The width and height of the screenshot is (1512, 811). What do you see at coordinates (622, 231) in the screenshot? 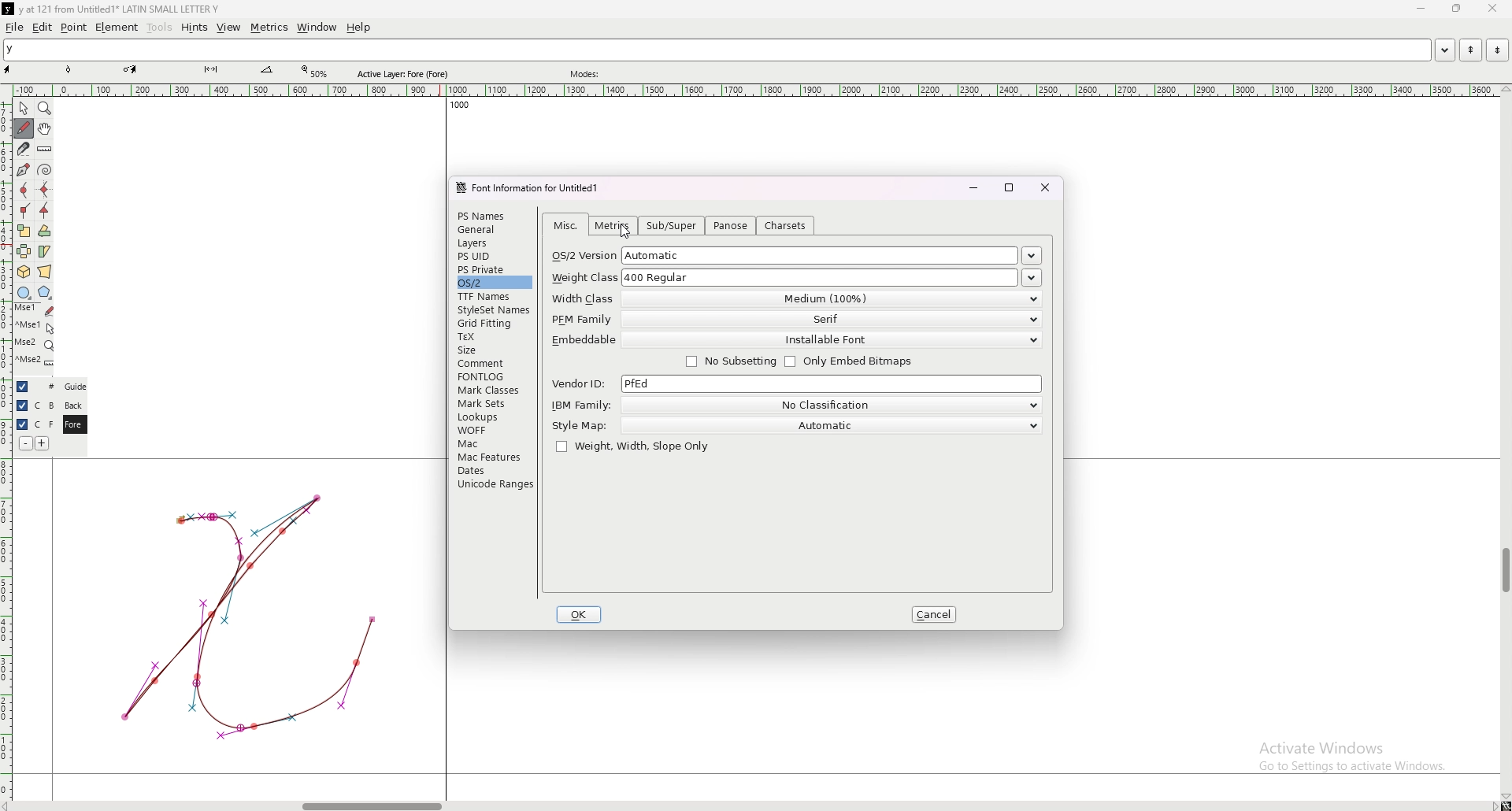
I see `cursor` at bounding box center [622, 231].